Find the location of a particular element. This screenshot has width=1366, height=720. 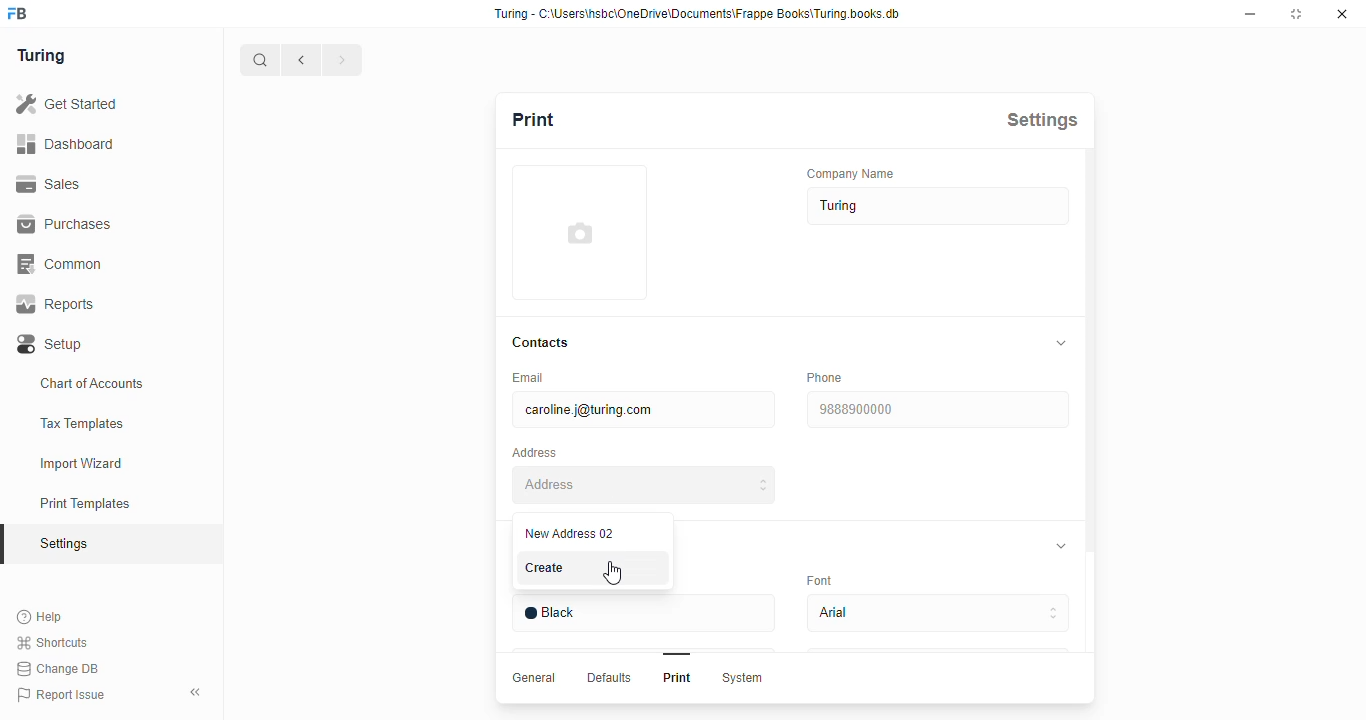

toggle maximize is located at coordinates (1295, 13).